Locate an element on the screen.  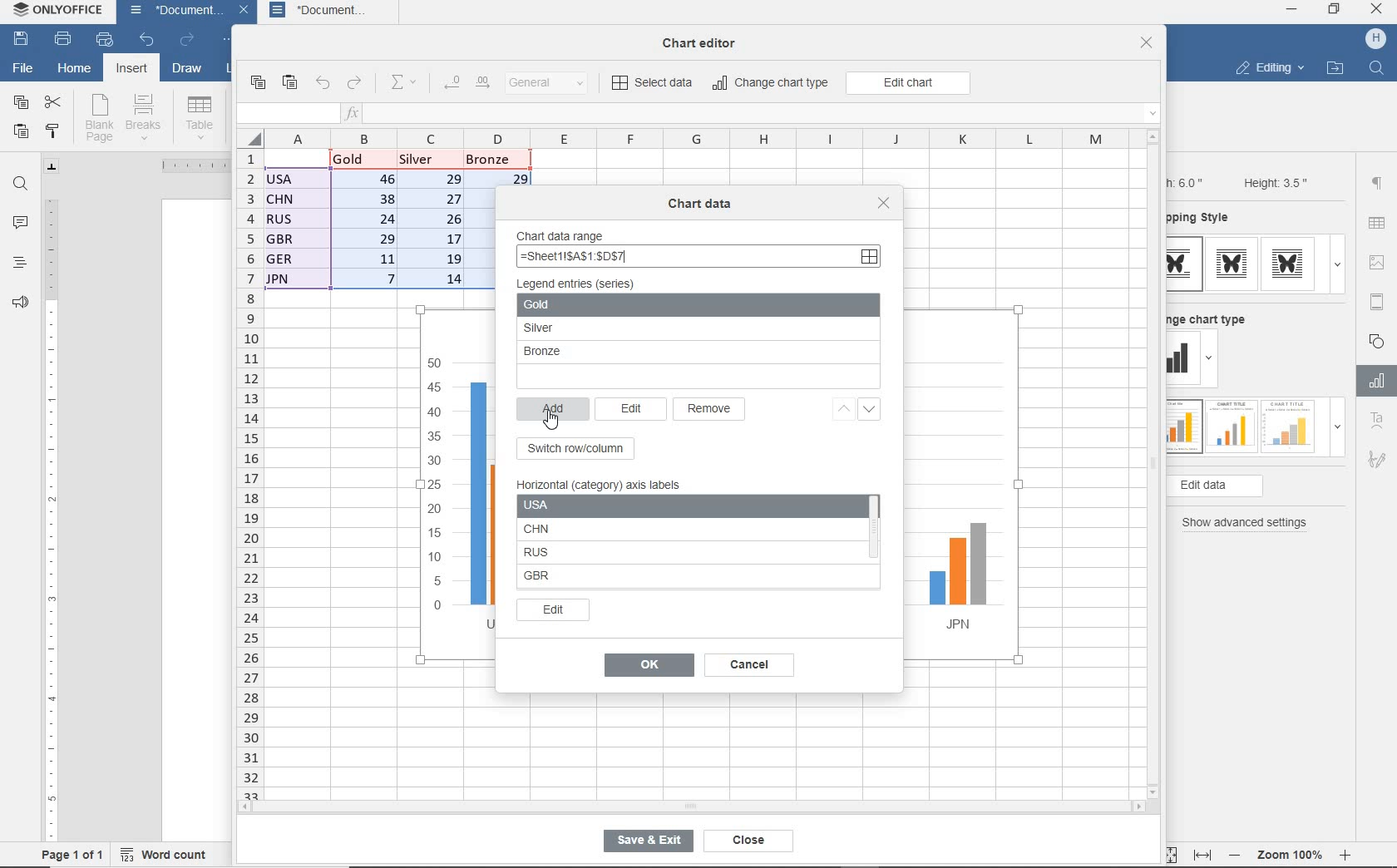
word count is located at coordinates (169, 852).